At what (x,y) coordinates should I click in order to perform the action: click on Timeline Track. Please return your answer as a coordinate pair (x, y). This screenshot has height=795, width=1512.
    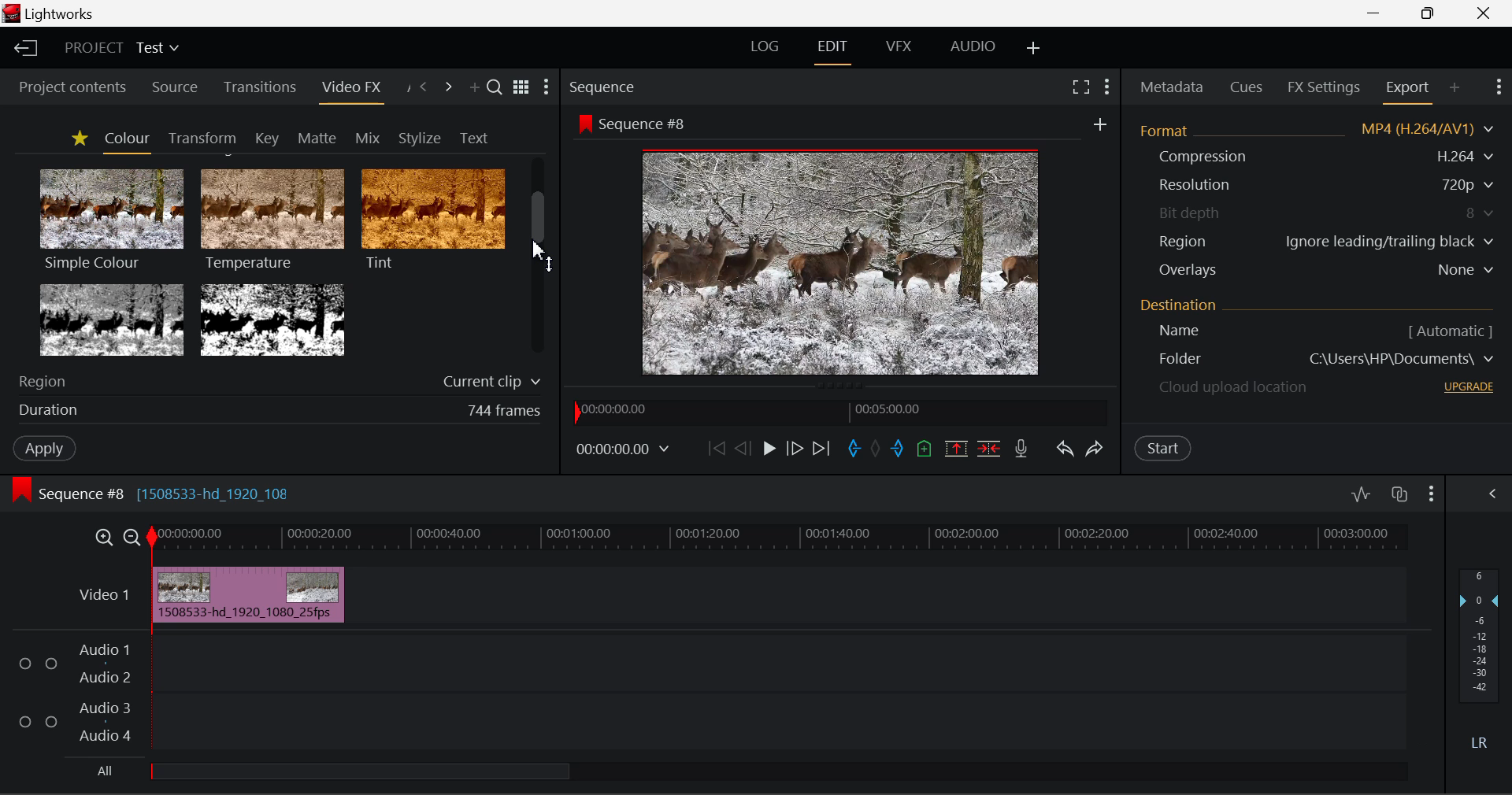
    Looking at the image, I should click on (781, 538).